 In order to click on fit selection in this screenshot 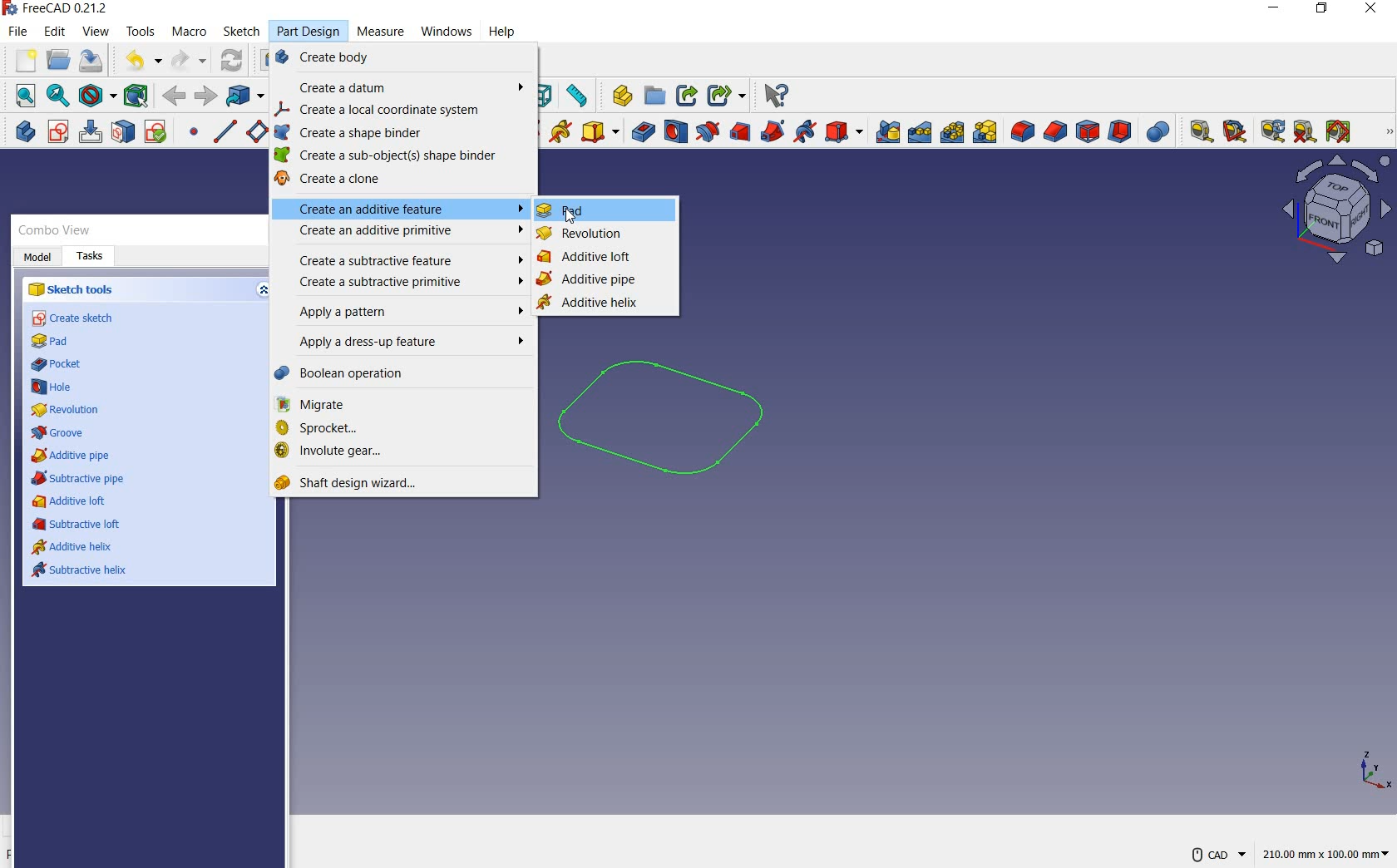, I will do `click(58, 97)`.